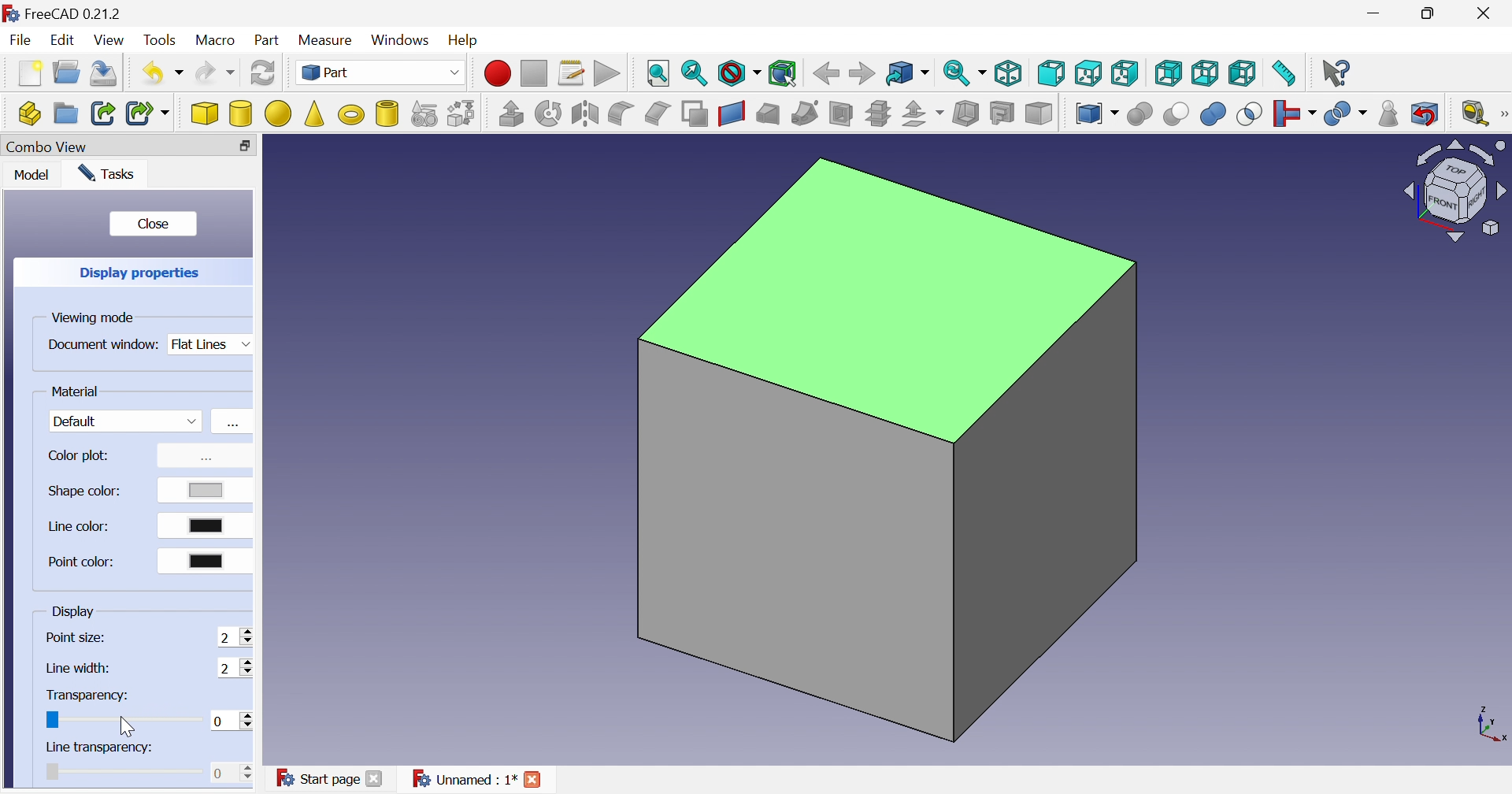  Describe the element at coordinates (269, 41) in the screenshot. I see `Part` at that location.